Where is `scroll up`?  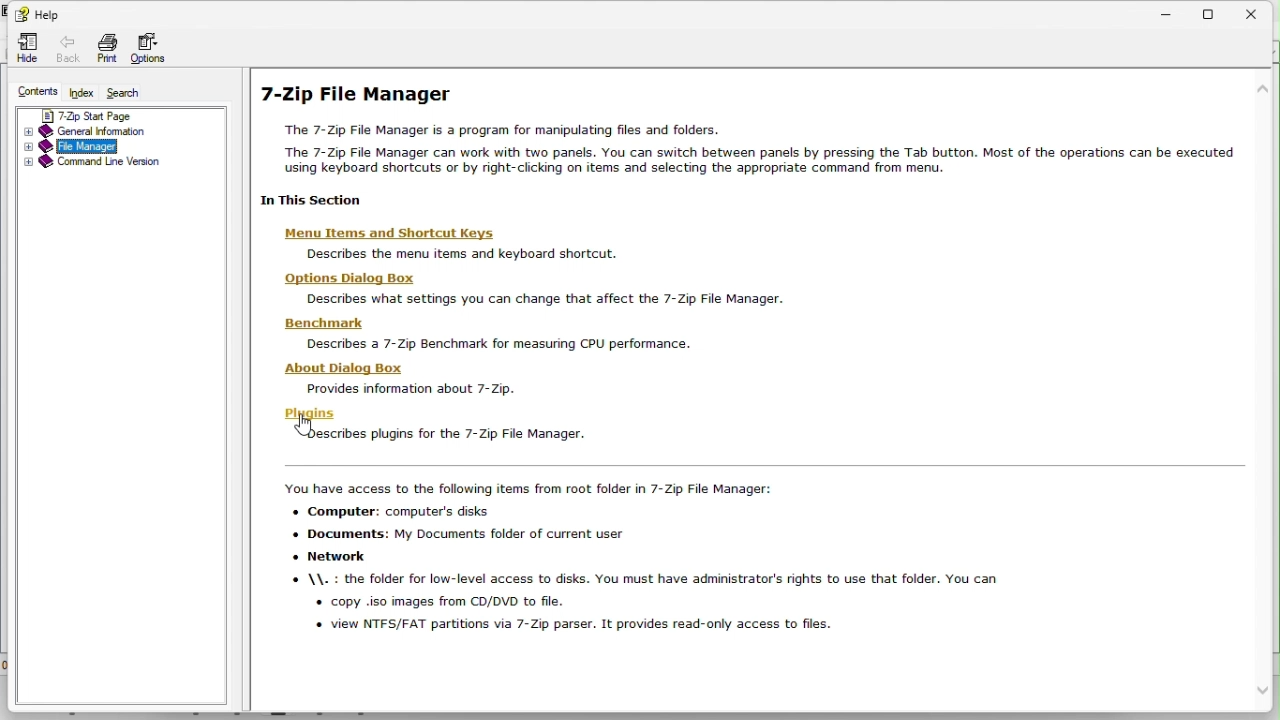
scroll up is located at coordinates (1263, 87).